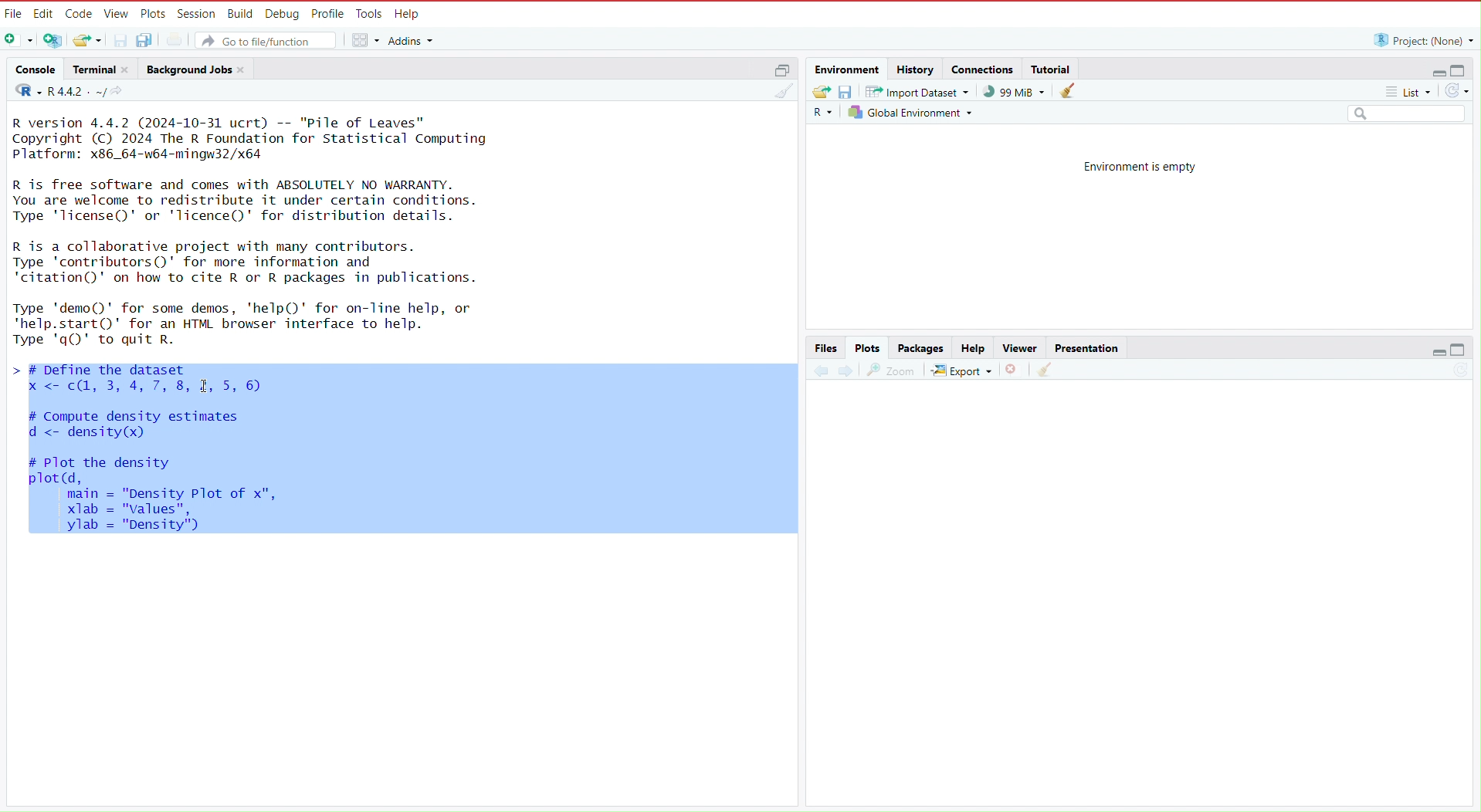 This screenshot has width=1481, height=812. What do you see at coordinates (1409, 114) in the screenshot?
I see `search field` at bounding box center [1409, 114].